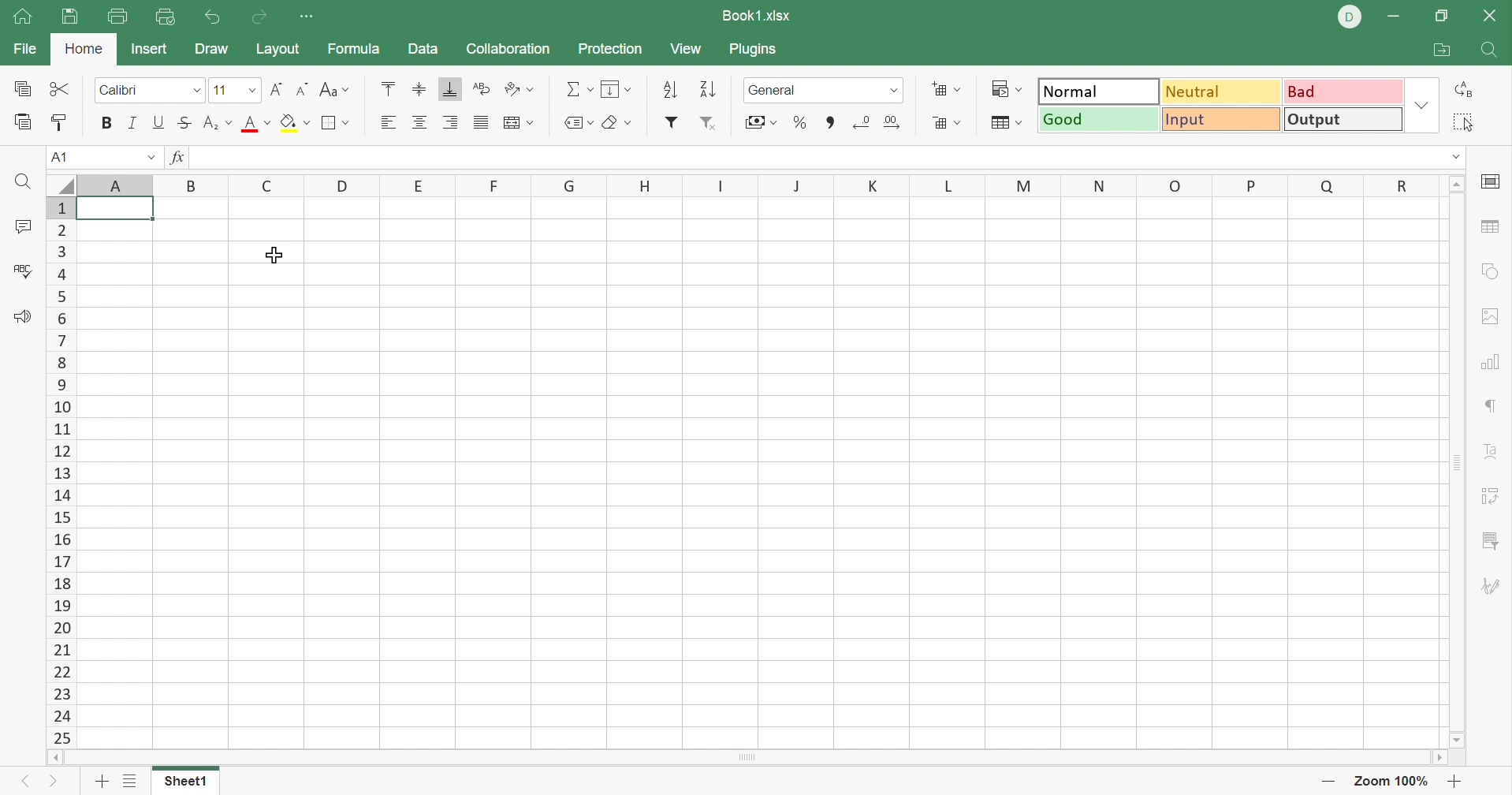 This screenshot has height=795, width=1512. Describe the element at coordinates (116, 211) in the screenshot. I see `selected cells` at that location.